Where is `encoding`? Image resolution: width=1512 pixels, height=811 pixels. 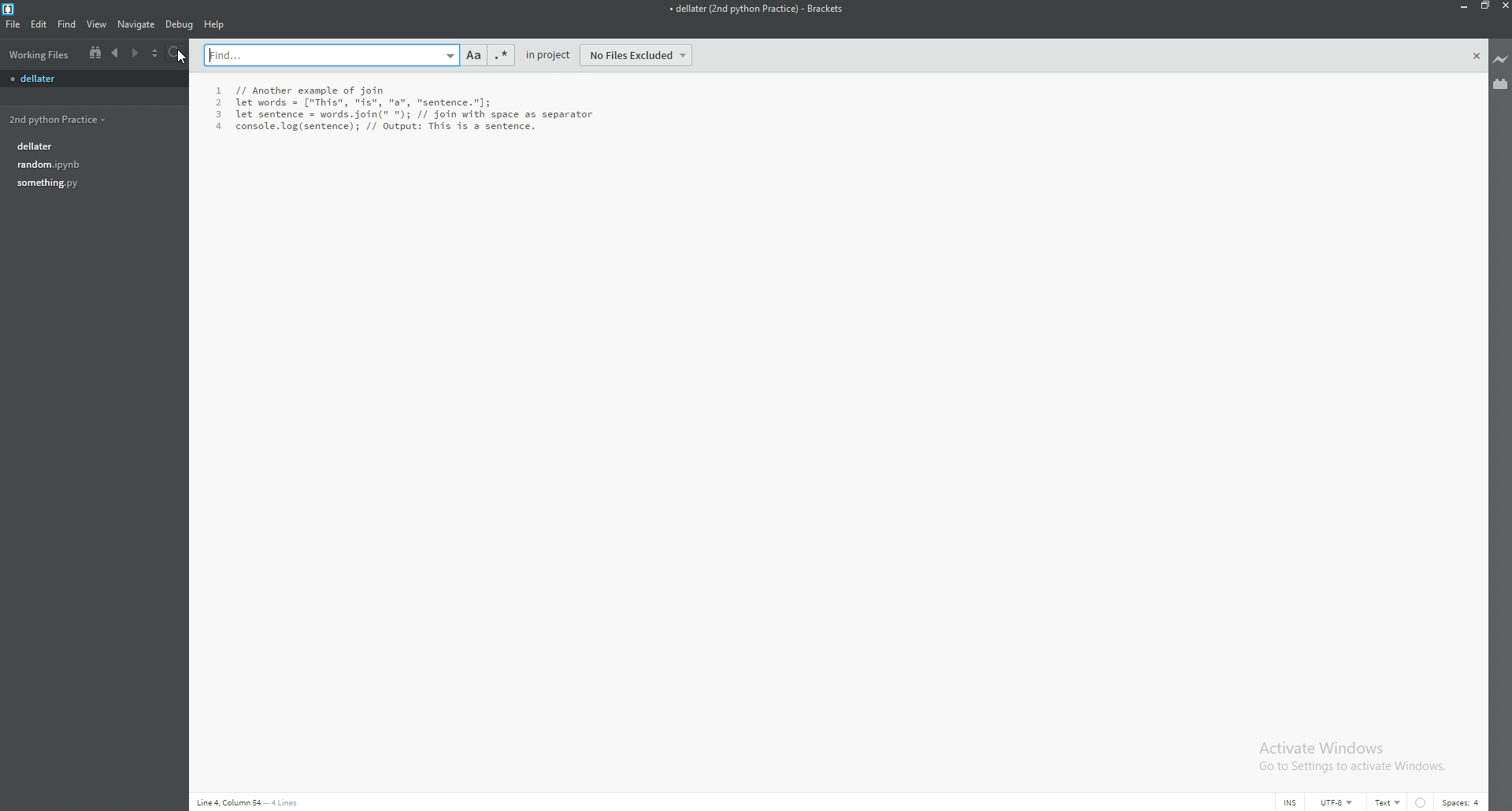
encoding is located at coordinates (1337, 802).